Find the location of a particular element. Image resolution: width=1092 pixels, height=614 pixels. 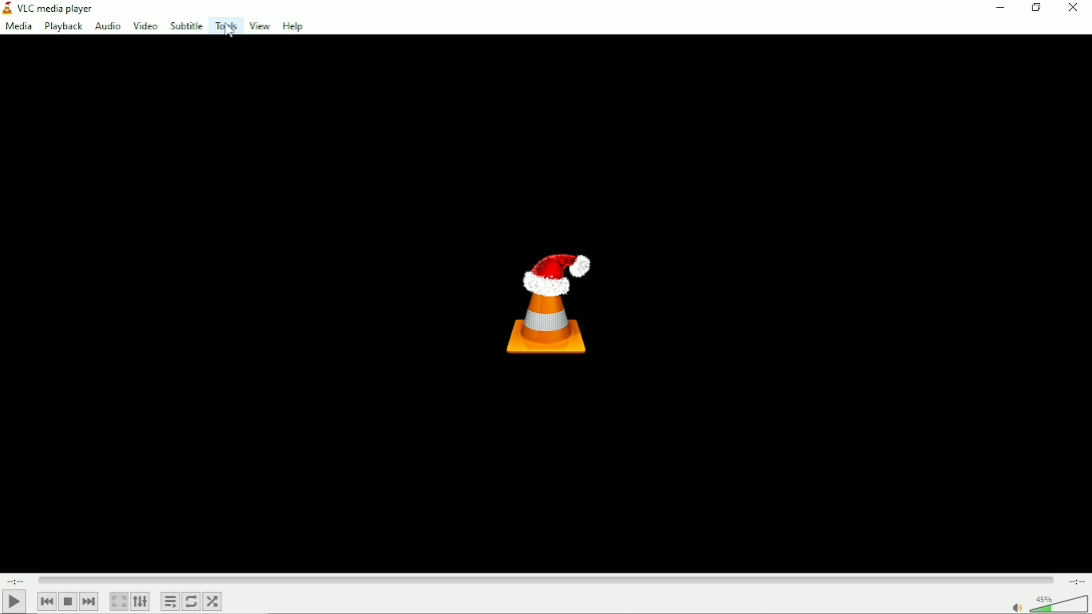

Playback is located at coordinates (65, 27).